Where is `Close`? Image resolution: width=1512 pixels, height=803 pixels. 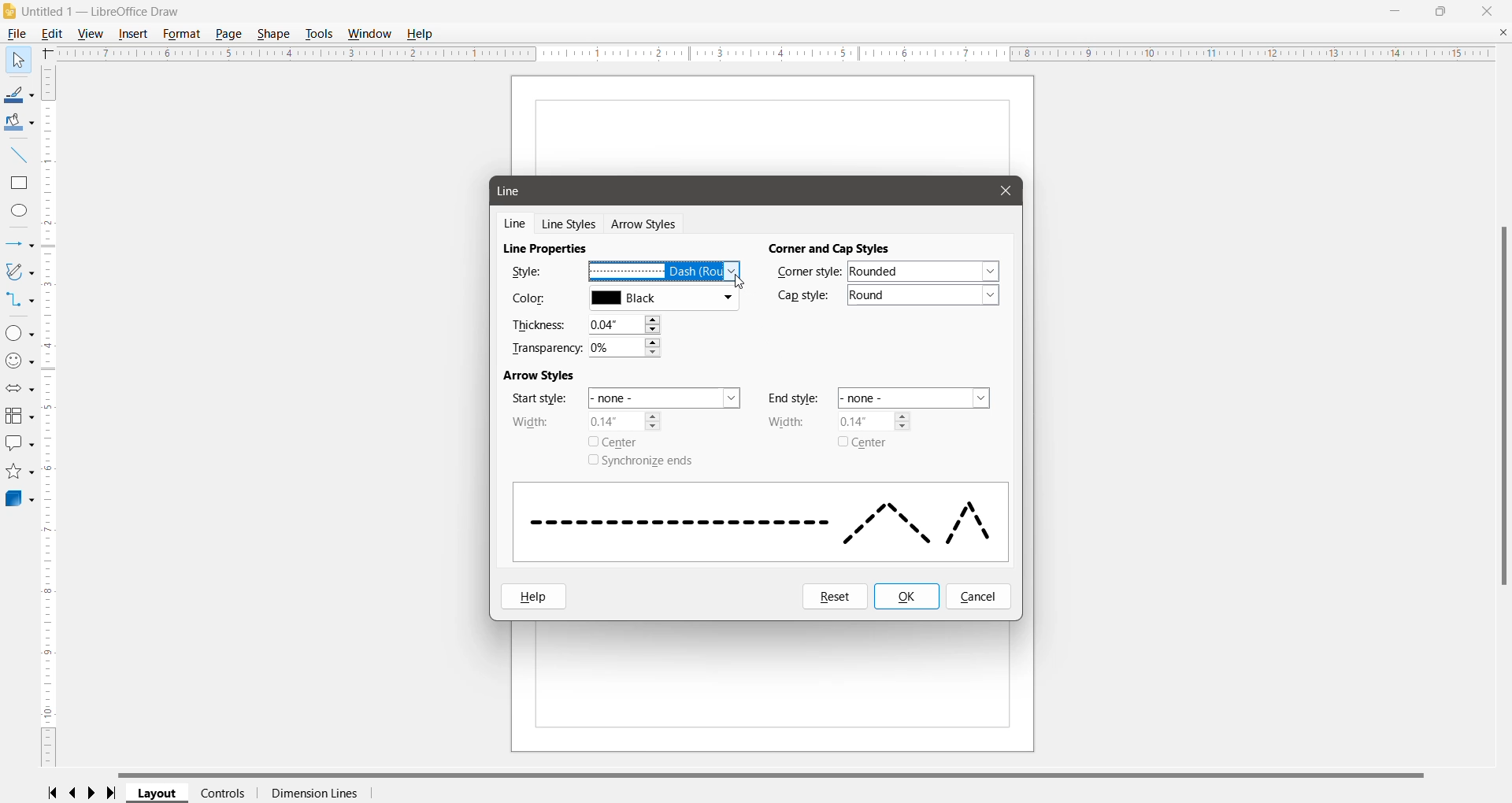
Close is located at coordinates (1488, 12).